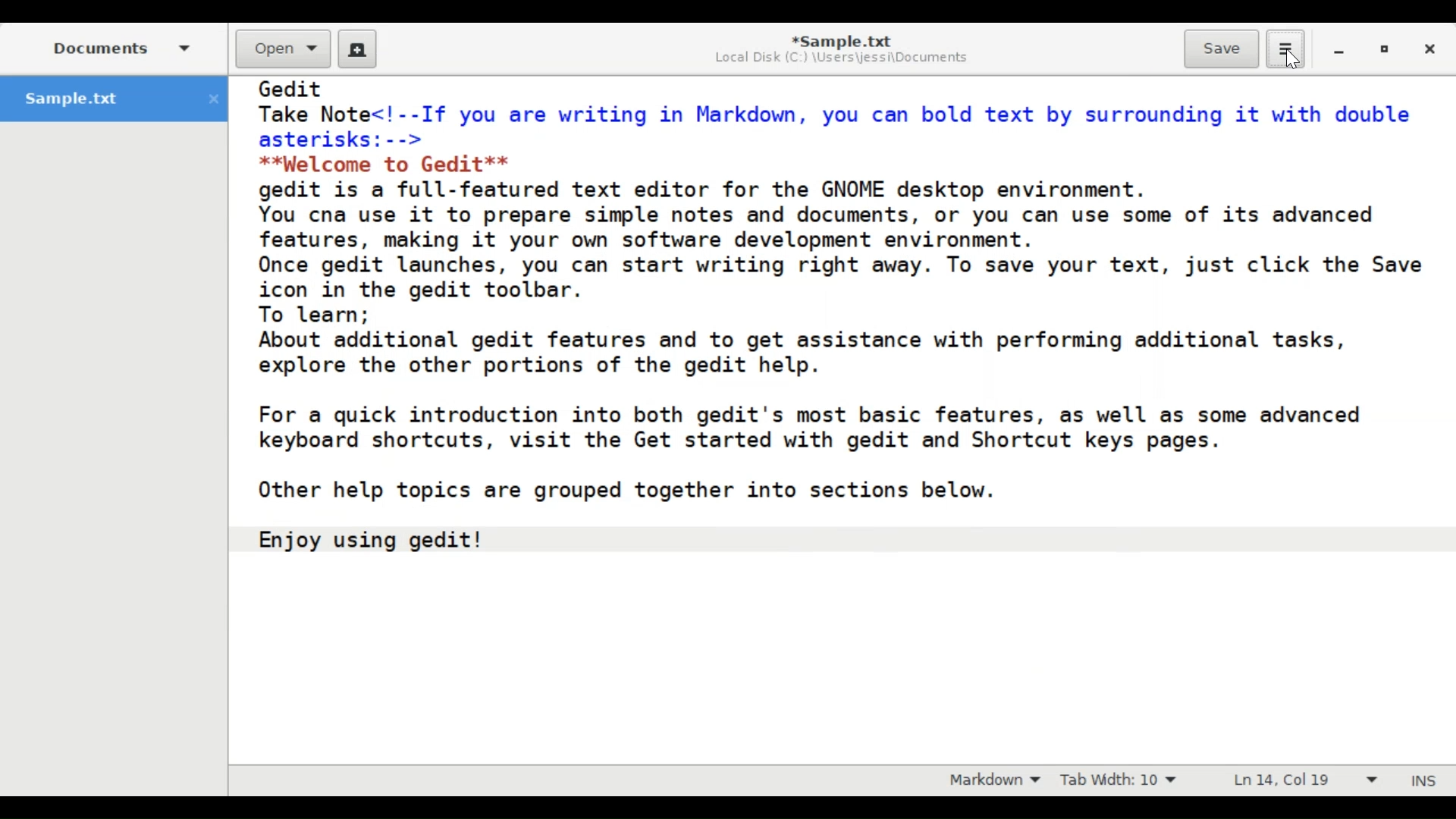  I want to click on Sample.txt, so click(114, 99).